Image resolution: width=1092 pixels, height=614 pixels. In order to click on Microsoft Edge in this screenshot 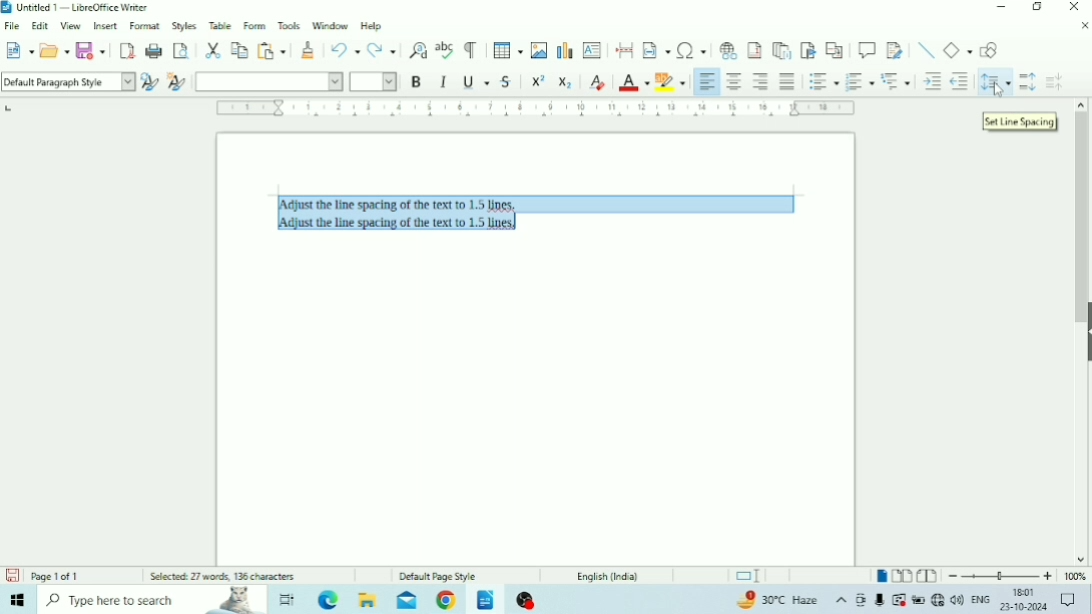, I will do `click(328, 600)`.